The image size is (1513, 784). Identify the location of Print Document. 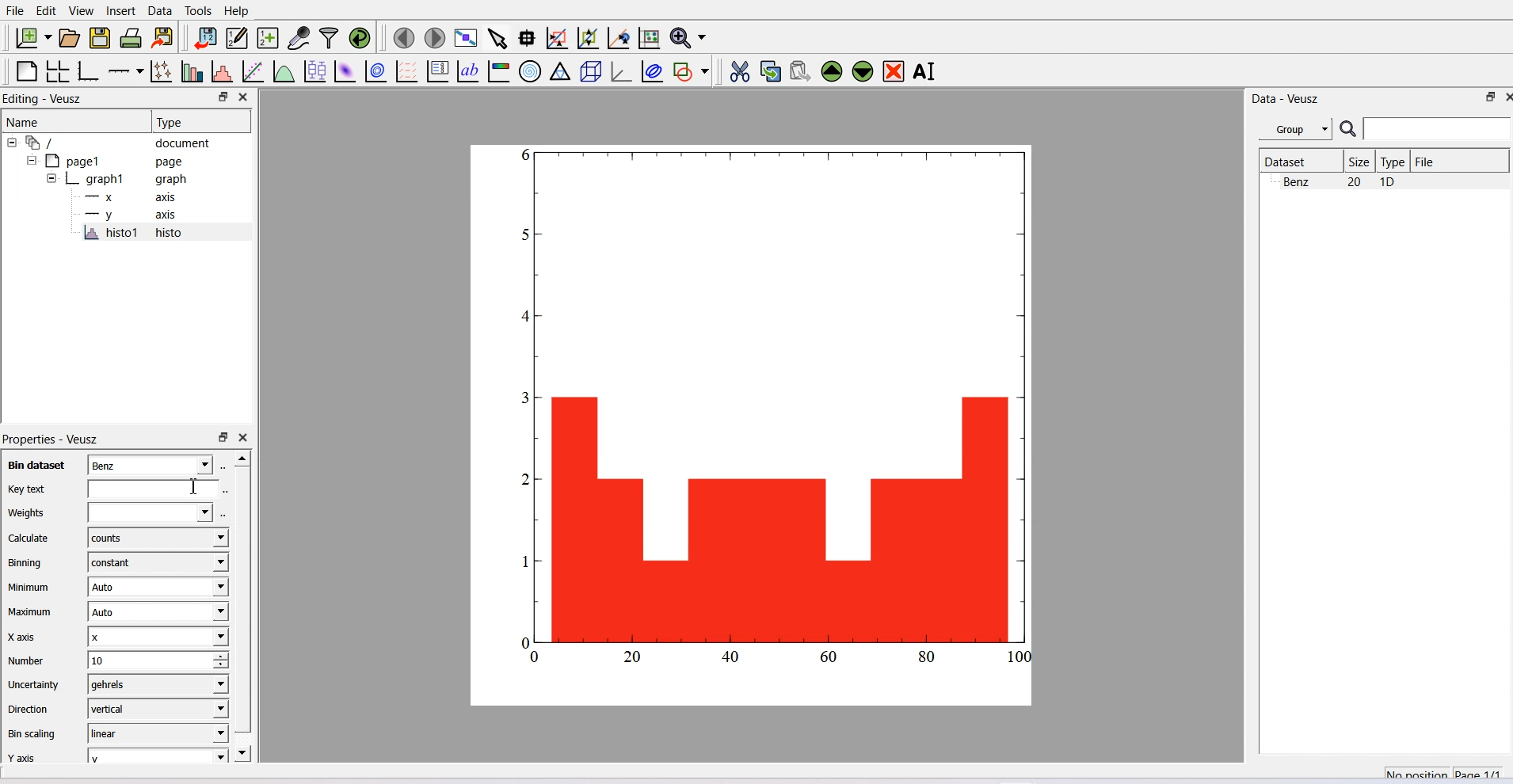
(131, 38).